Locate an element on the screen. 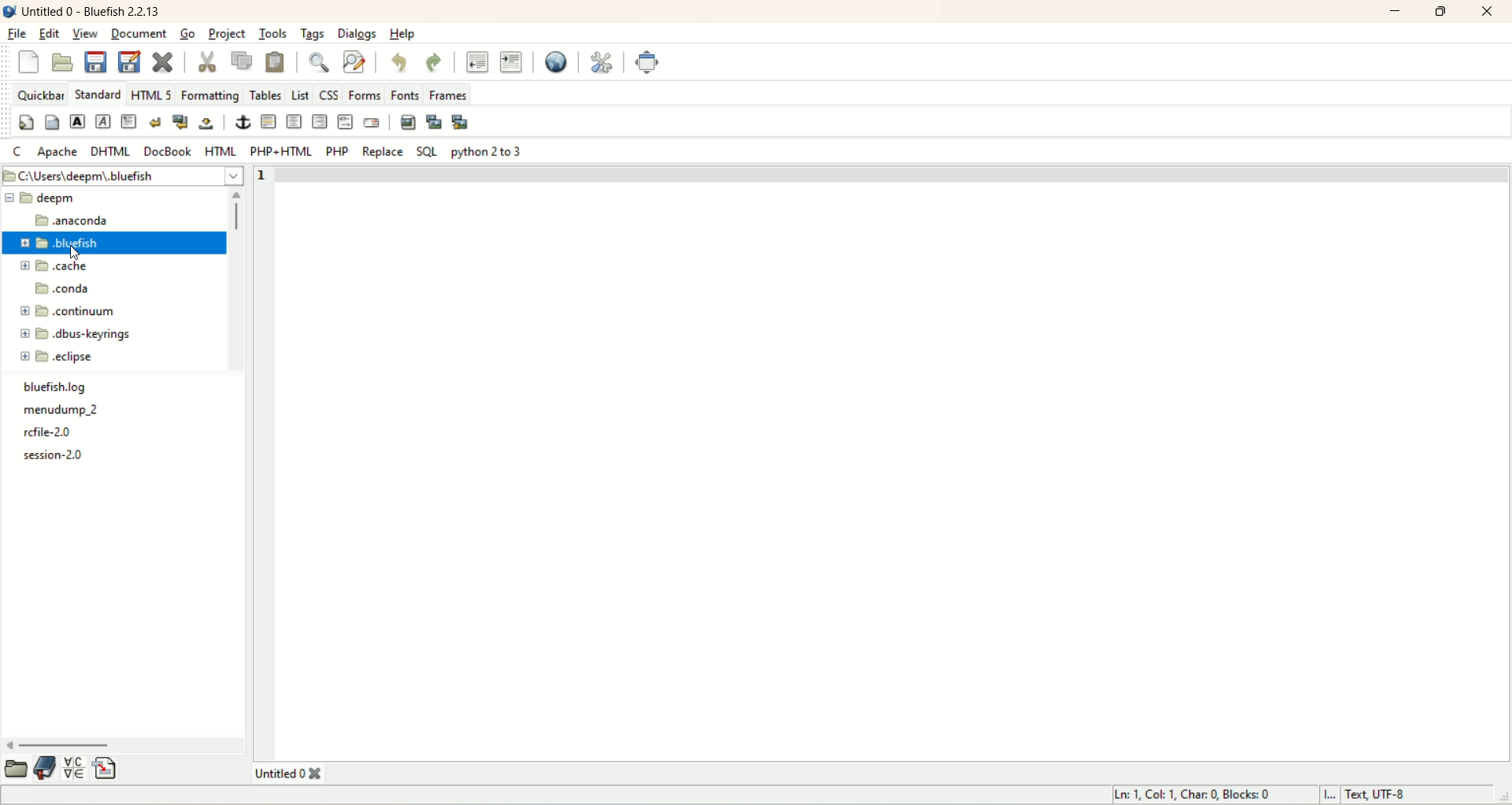 The height and width of the screenshot is (805, 1512). ln, col, char, blocks is located at coordinates (1193, 796).